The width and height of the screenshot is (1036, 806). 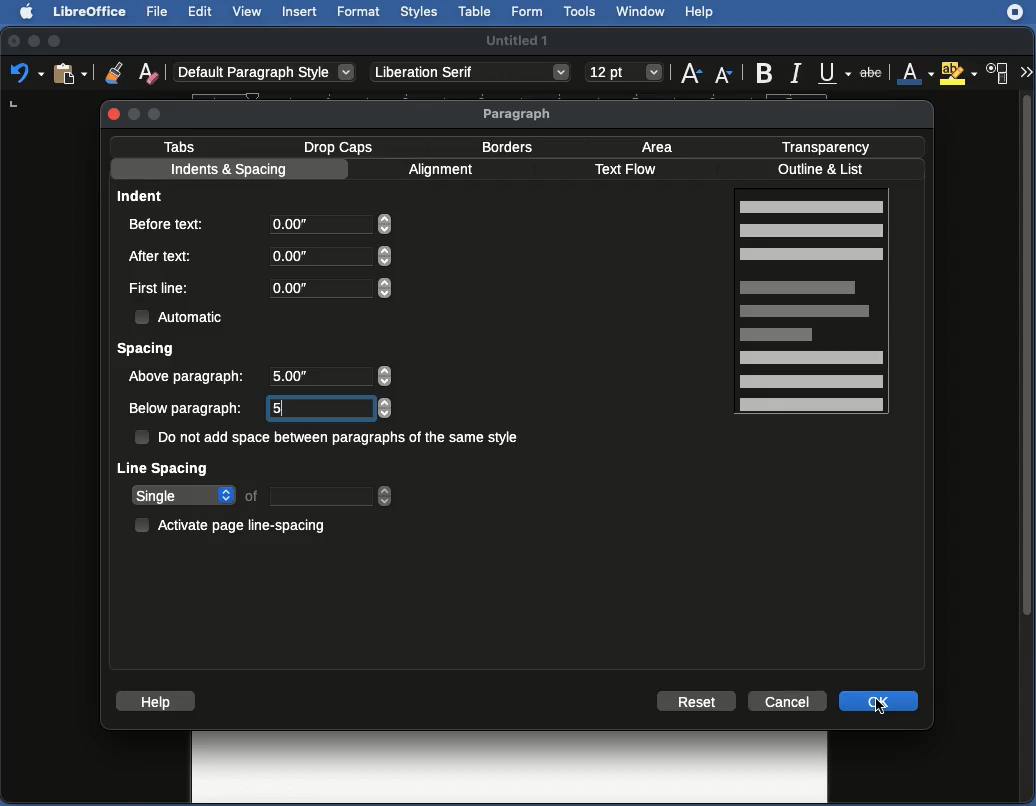 What do you see at coordinates (697, 701) in the screenshot?
I see `Reset` at bounding box center [697, 701].